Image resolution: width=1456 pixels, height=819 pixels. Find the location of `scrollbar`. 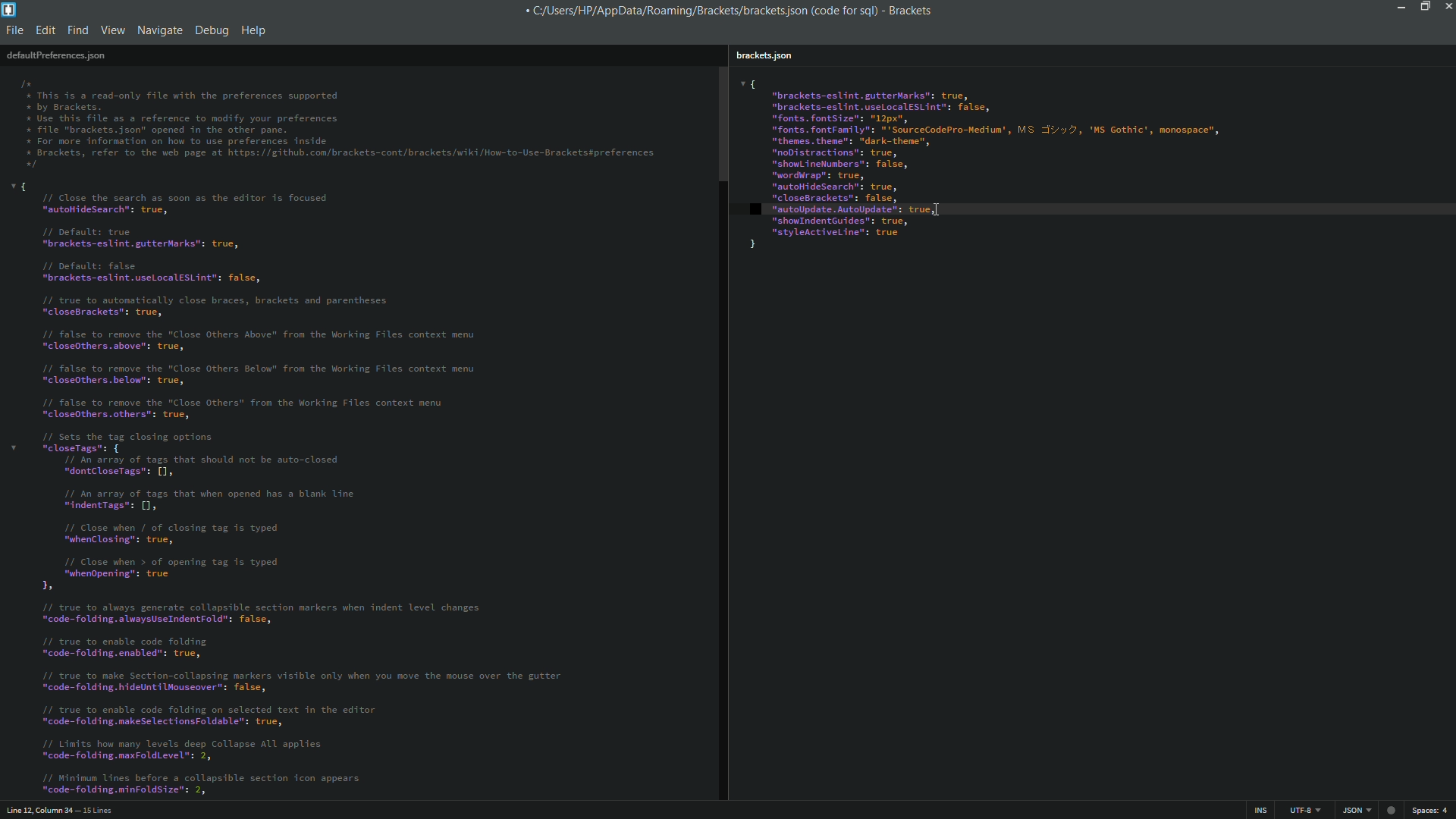

scrollbar is located at coordinates (721, 123).